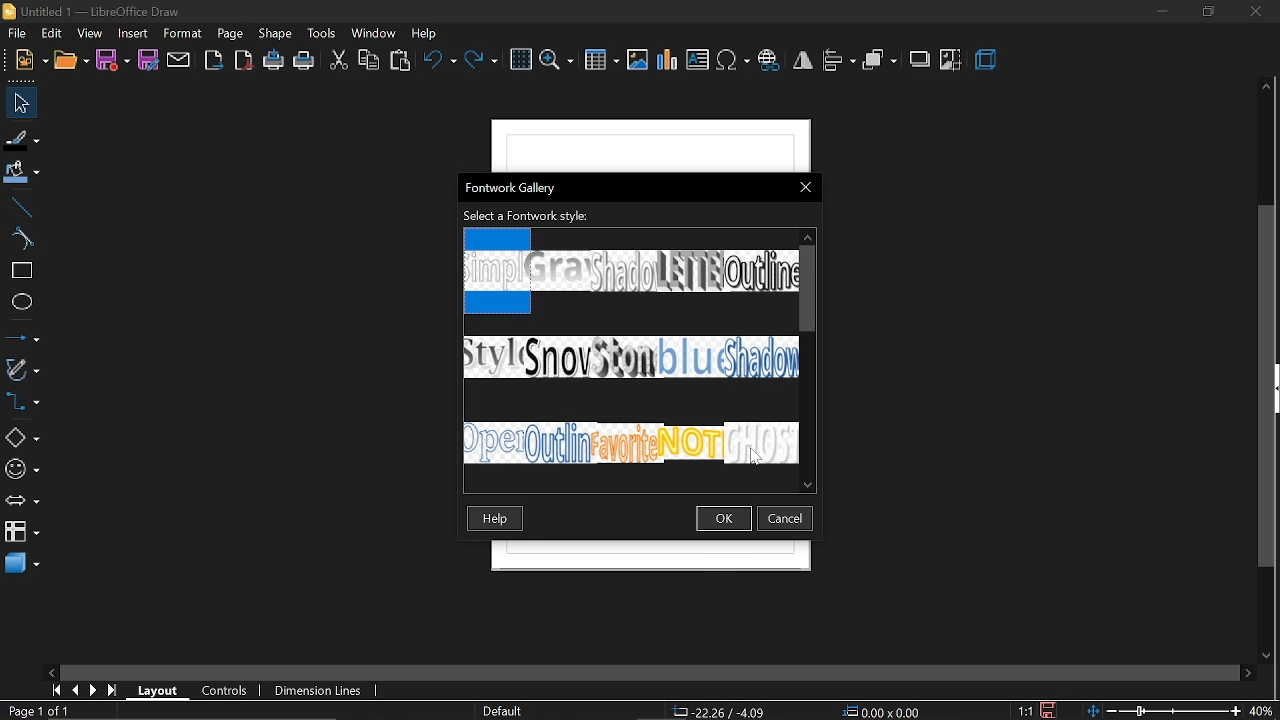 The height and width of the screenshot is (720, 1280). I want to click on fill line, so click(23, 138).